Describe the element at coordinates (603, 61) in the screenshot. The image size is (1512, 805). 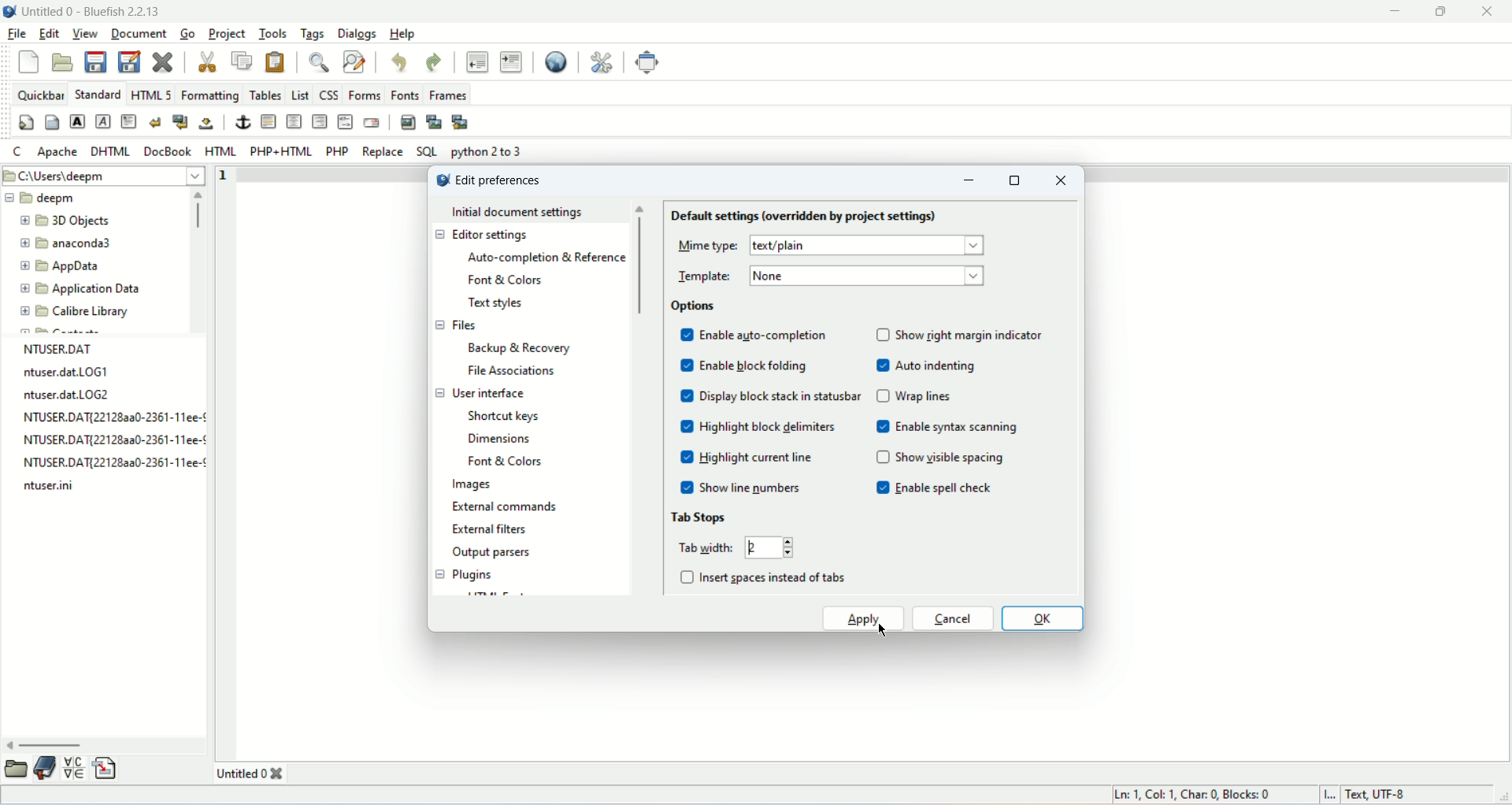
I see `edit preferences` at that location.